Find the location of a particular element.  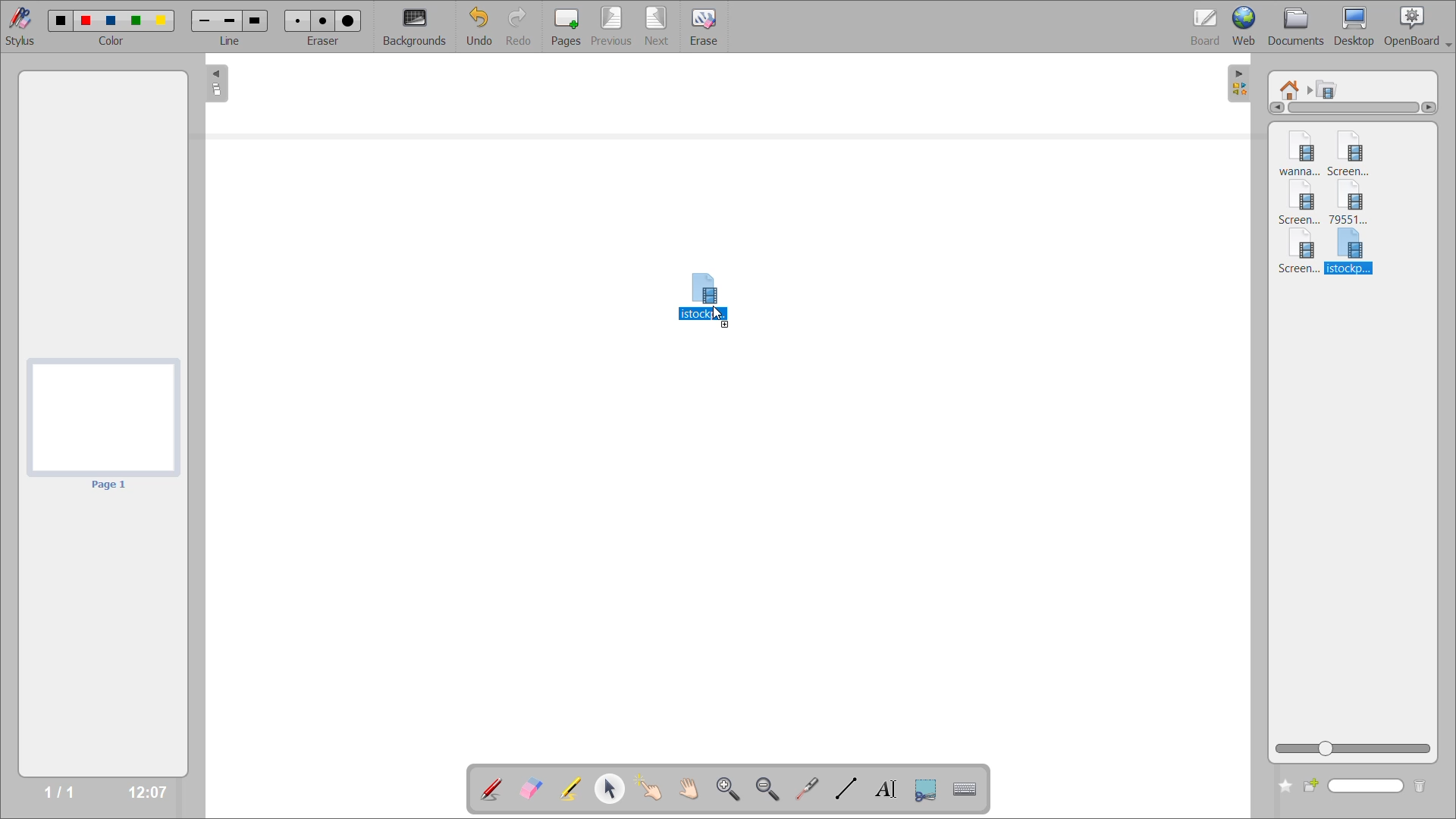

stylus is located at coordinates (24, 27).